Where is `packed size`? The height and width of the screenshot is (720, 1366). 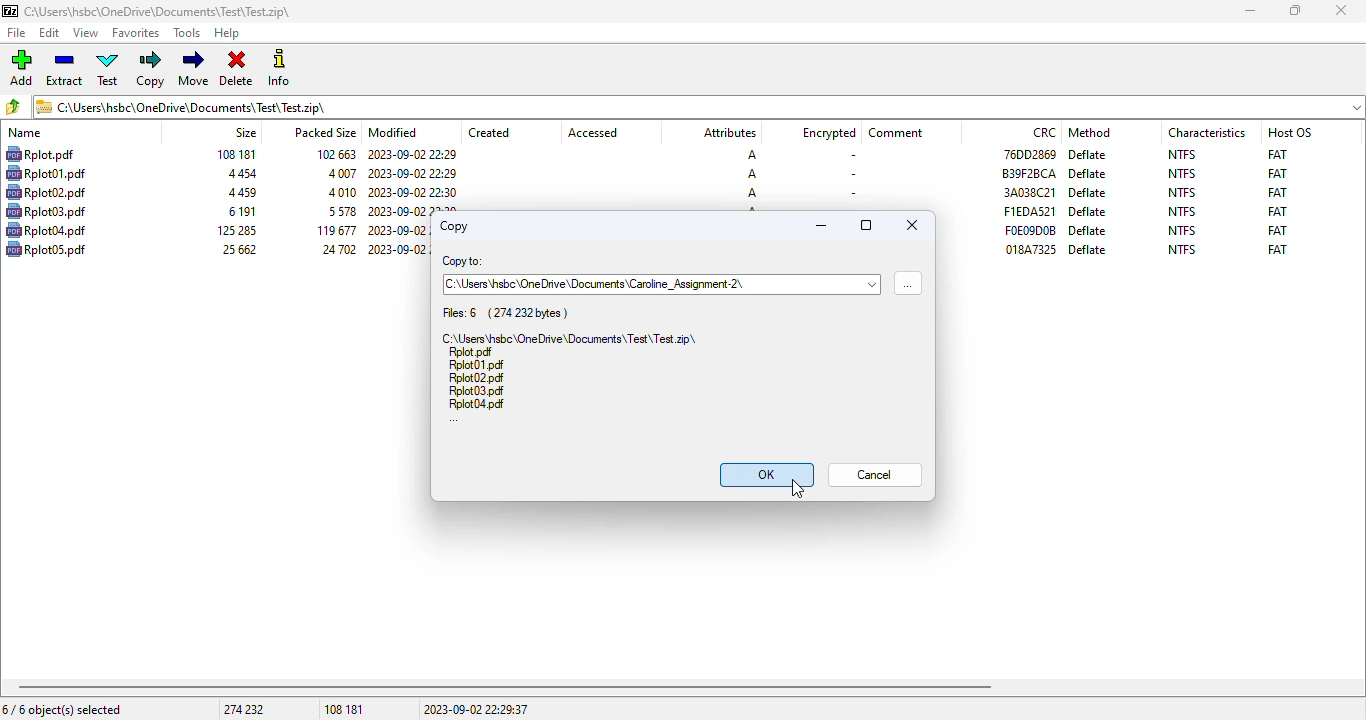 packed size is located at coordinates (324, 131).